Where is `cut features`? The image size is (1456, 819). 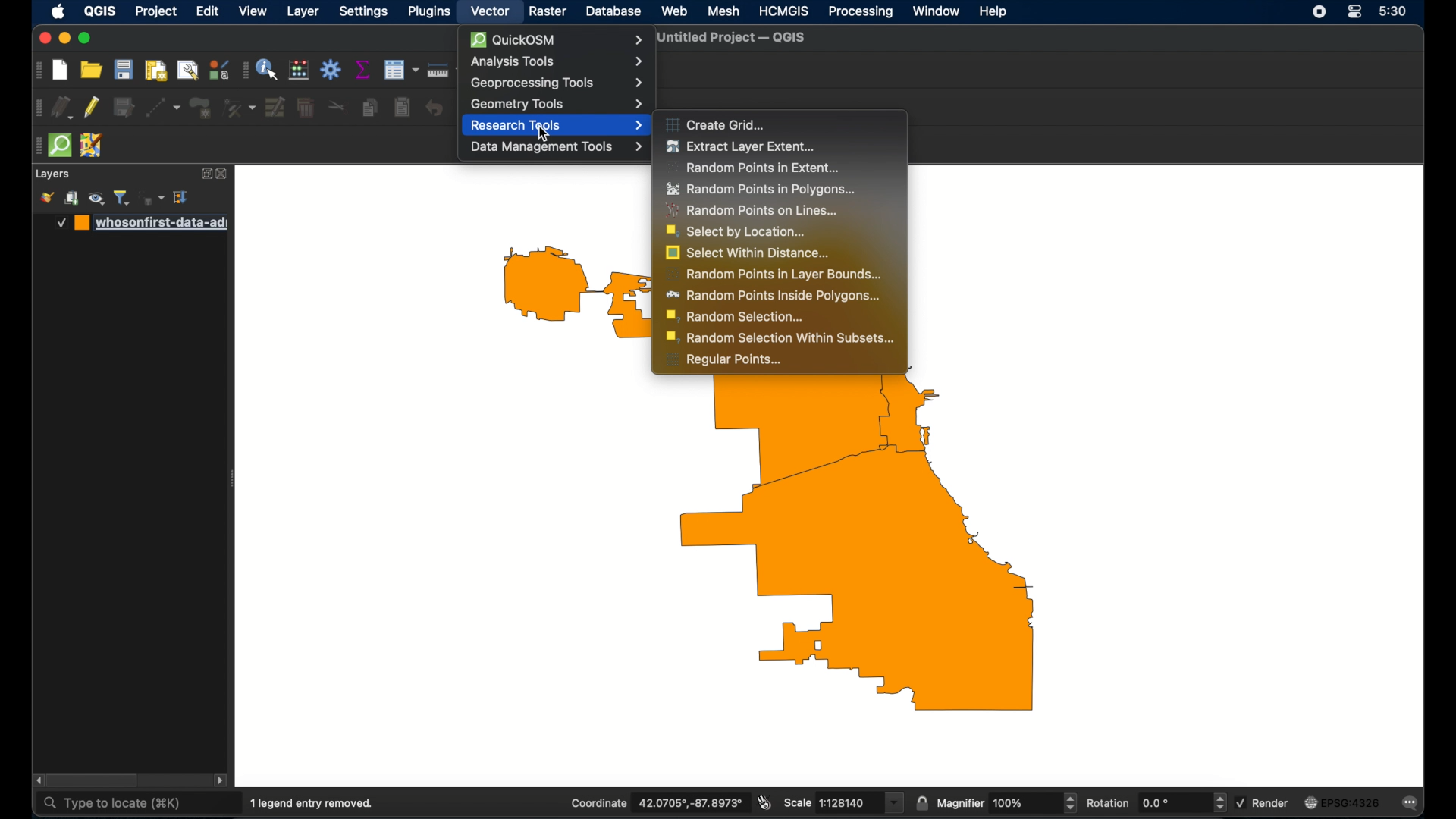
cut features is located at coordinates (336, 107).